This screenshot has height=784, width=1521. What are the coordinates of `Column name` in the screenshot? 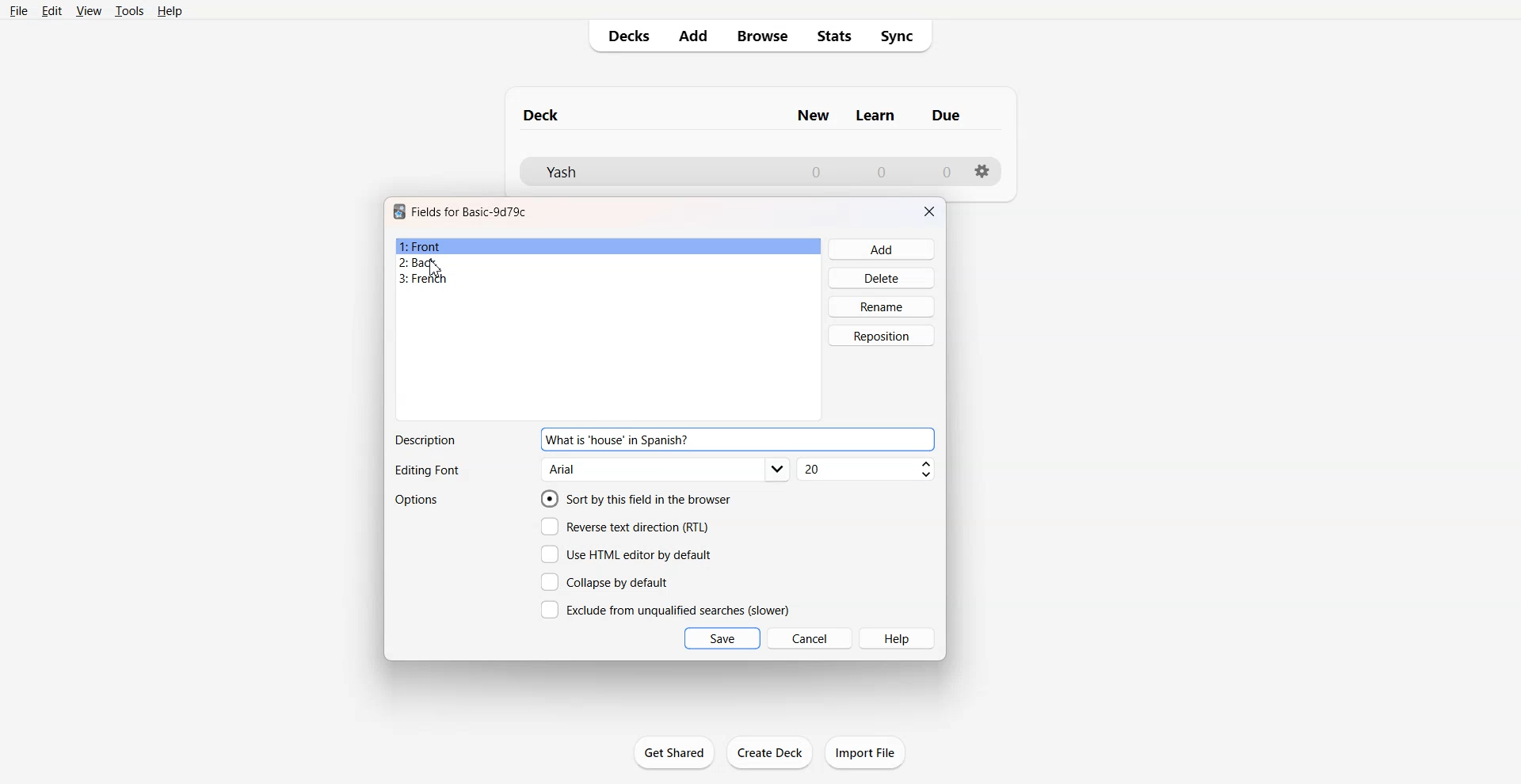 It's located at (813, 116).